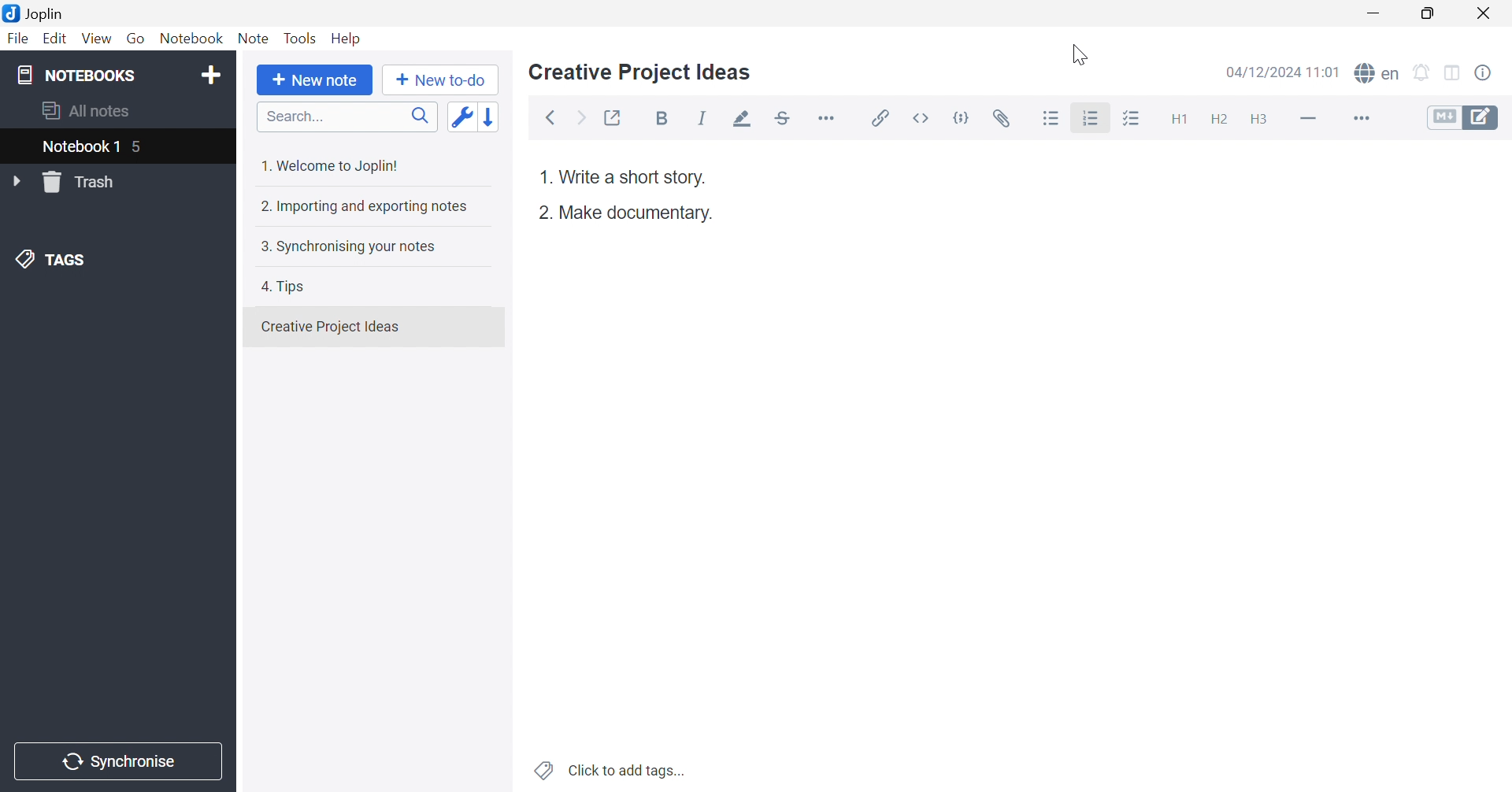 The height and width of the screenshot is (792, 1512). I want to click on View, so click(95, 39).